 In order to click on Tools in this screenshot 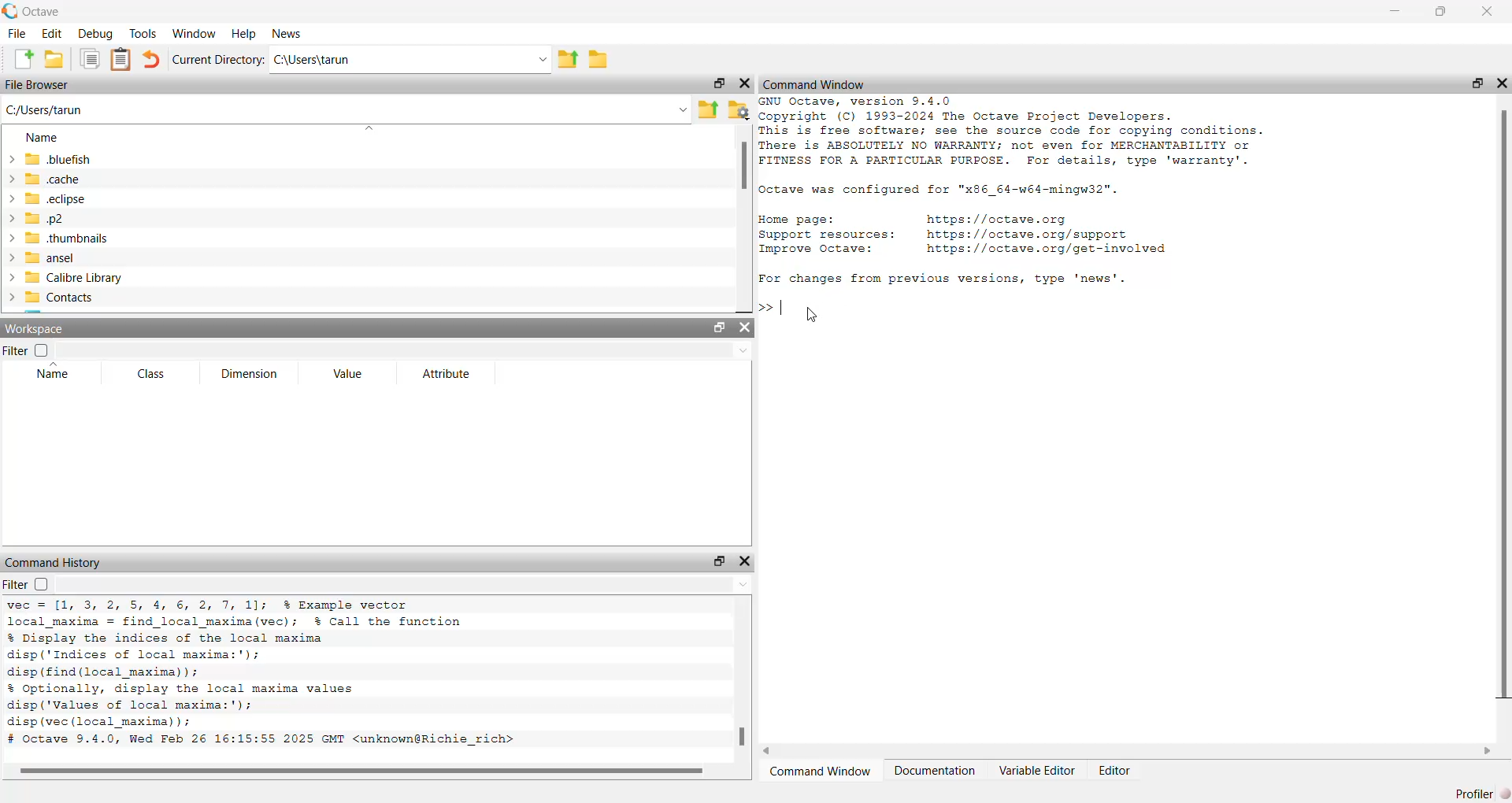, I will do `click(143, 32)`.